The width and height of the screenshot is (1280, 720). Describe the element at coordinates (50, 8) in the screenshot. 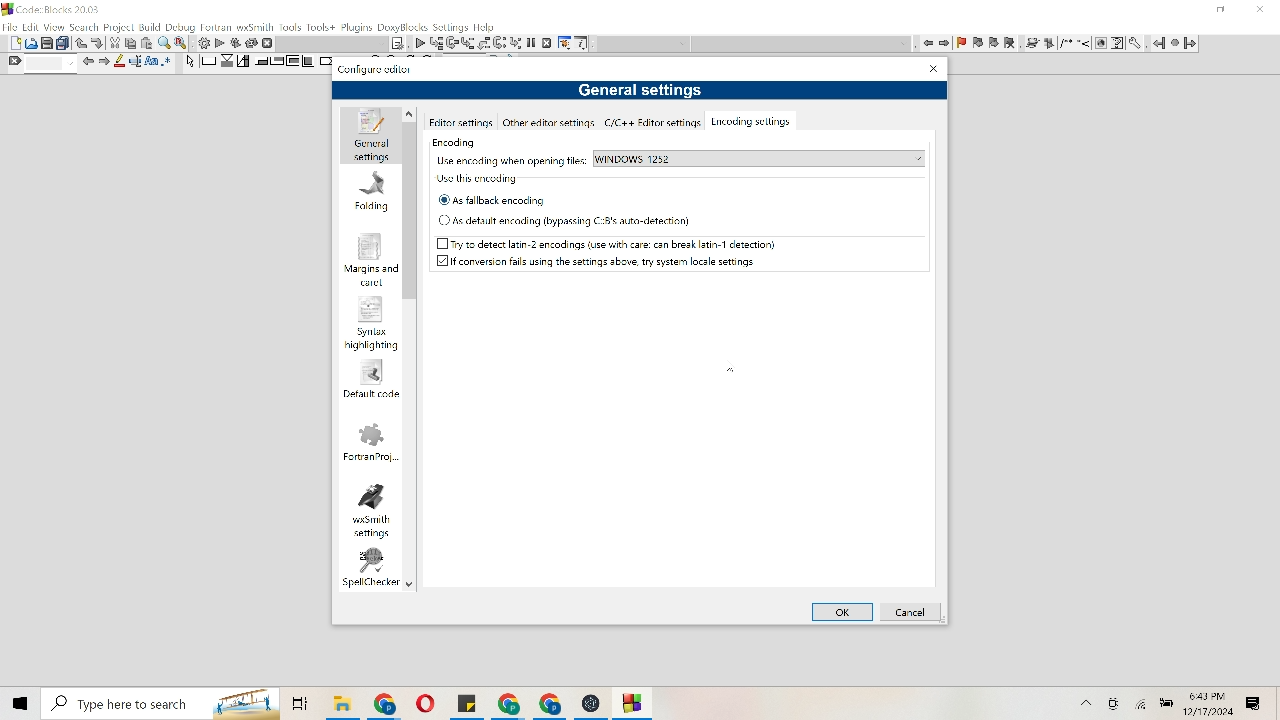

I see `Code Blocks 20.3` at that location.